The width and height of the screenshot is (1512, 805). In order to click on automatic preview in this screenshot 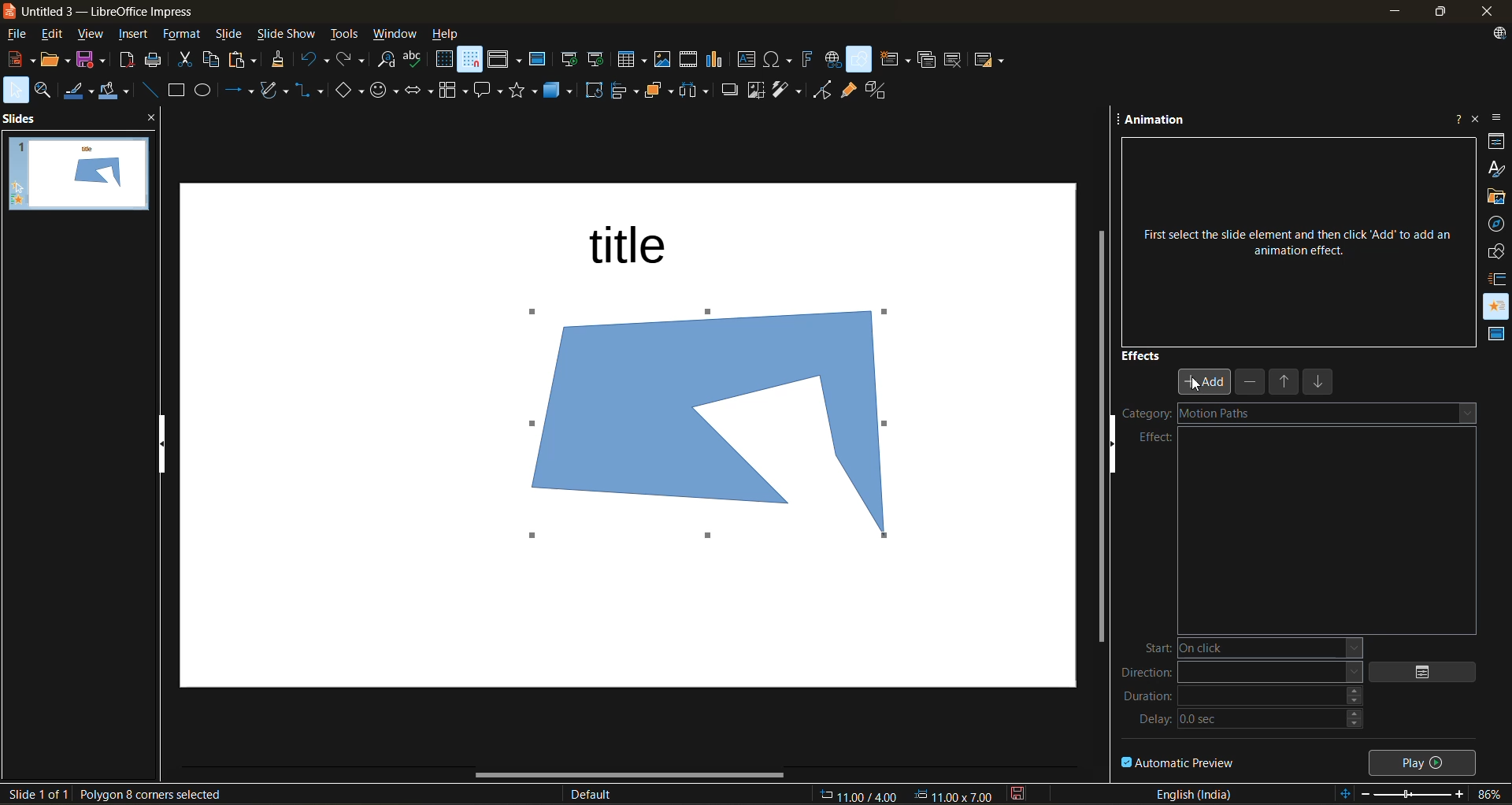, I will do `click(1180, 762)`.